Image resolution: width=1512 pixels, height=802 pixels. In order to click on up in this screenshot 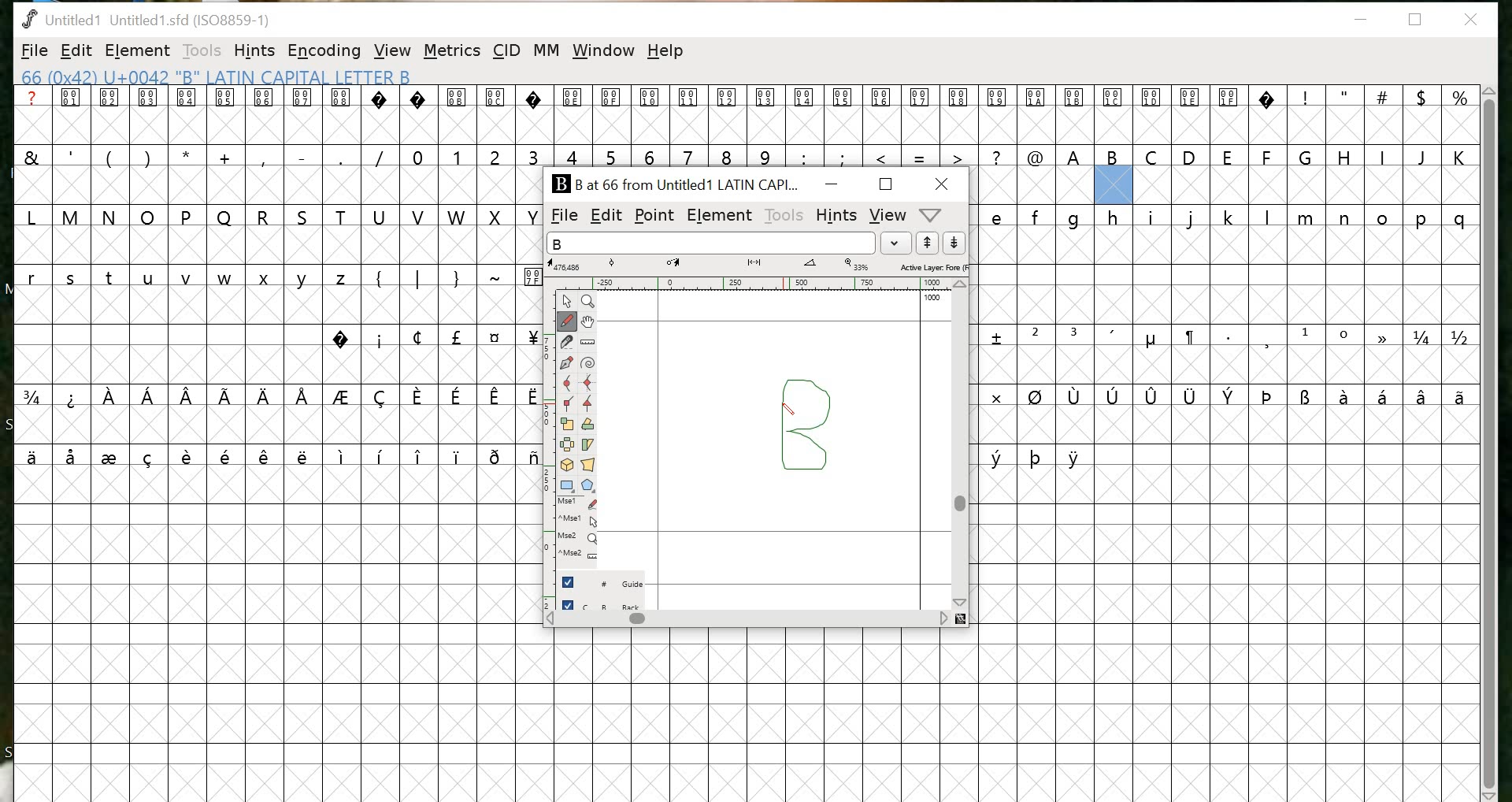, I will do `click(928, 243)`.